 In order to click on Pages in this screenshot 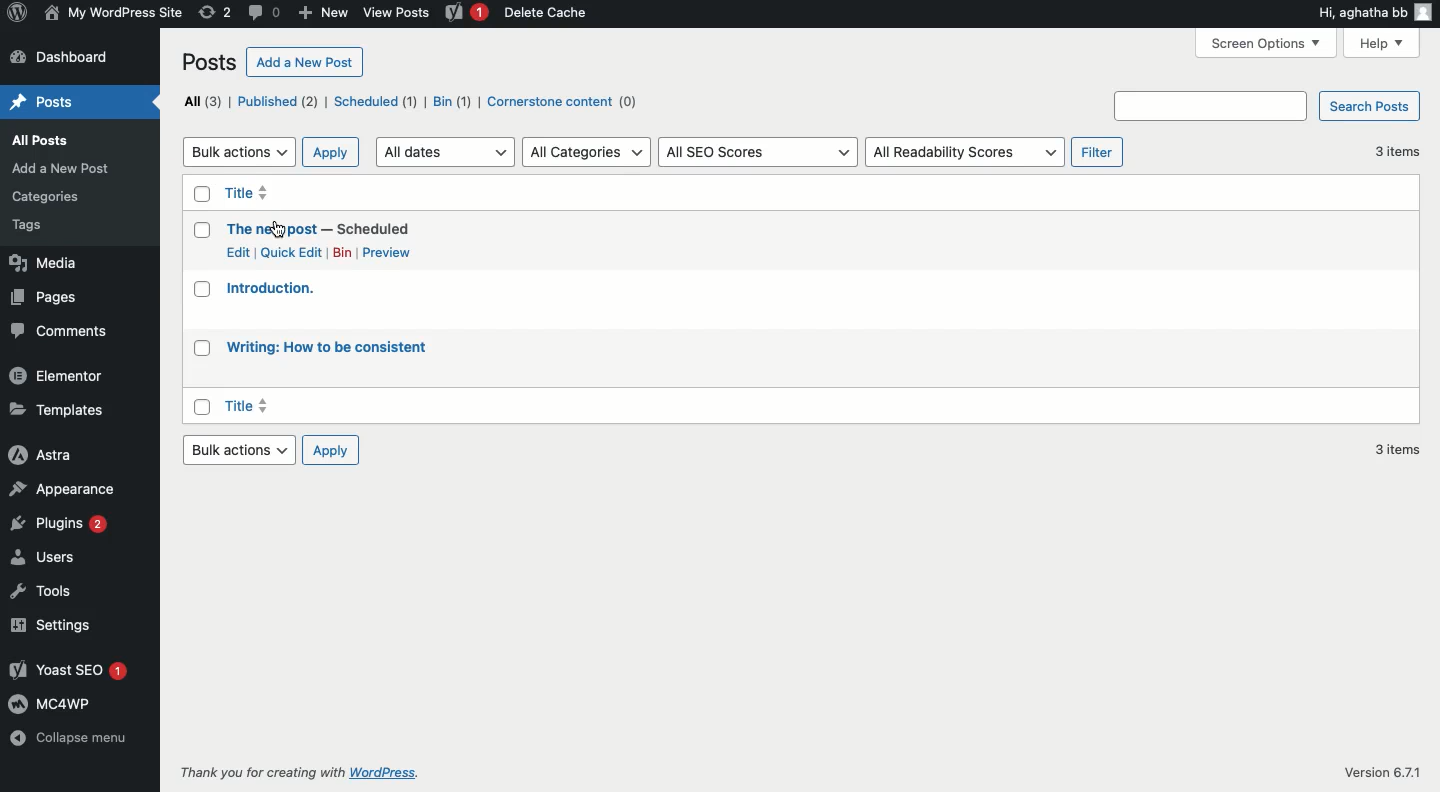, I will do `click(45, 297)`.